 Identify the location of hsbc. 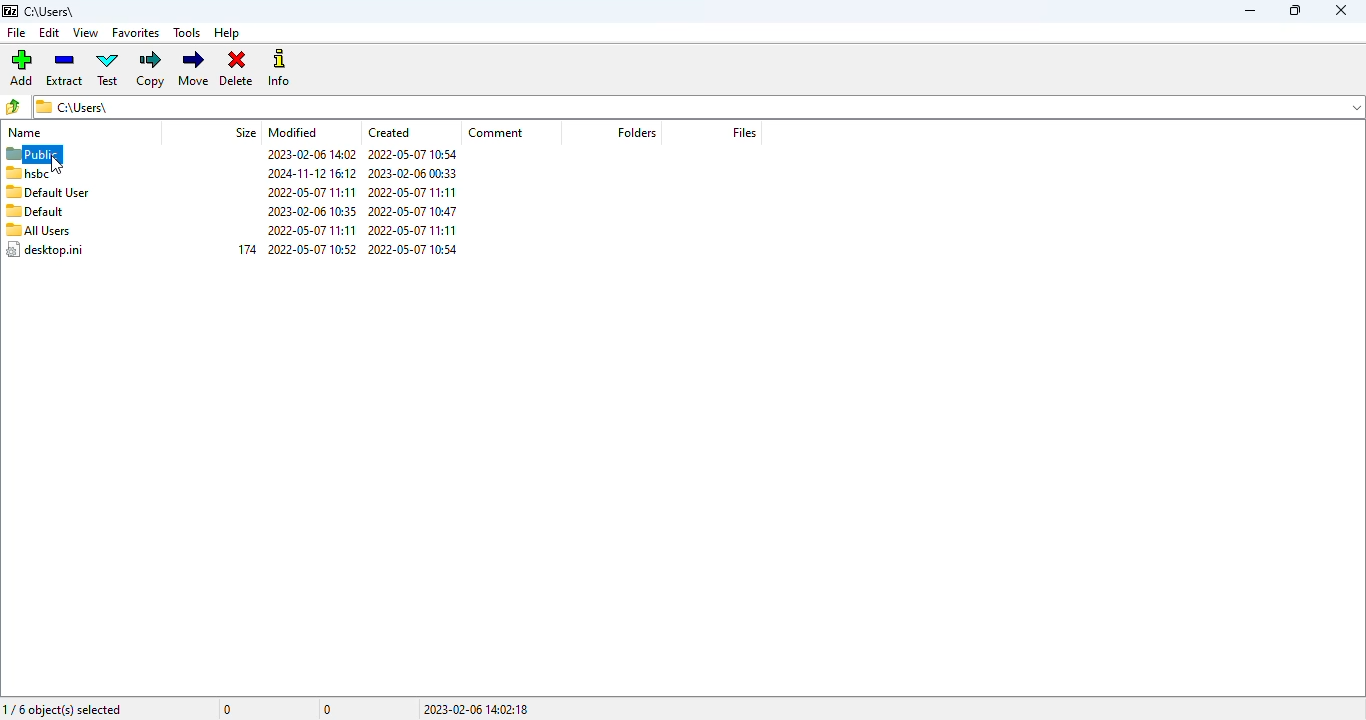
(30, 174).